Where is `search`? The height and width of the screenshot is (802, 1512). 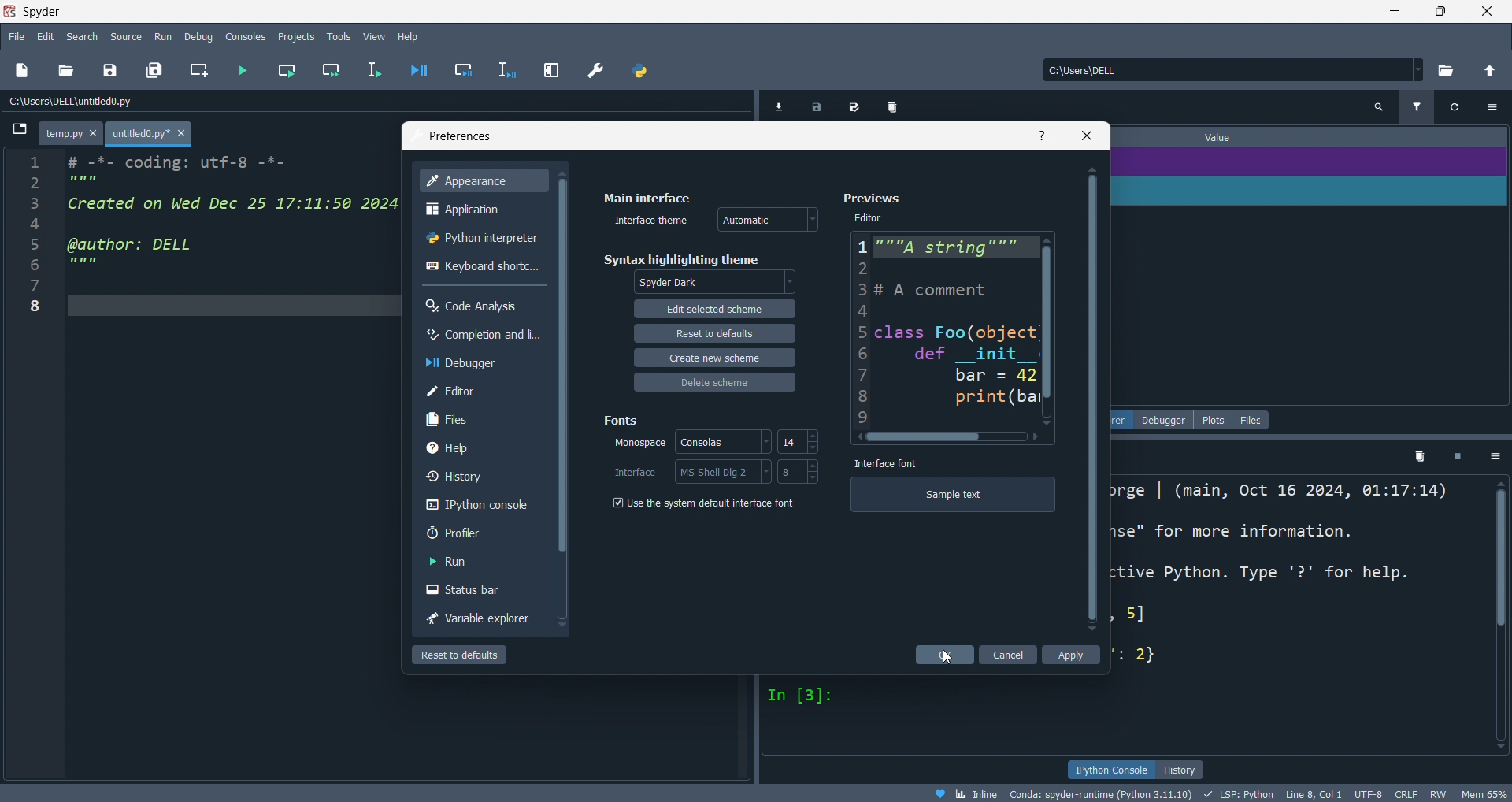
search is located at coordinates (83, 35).